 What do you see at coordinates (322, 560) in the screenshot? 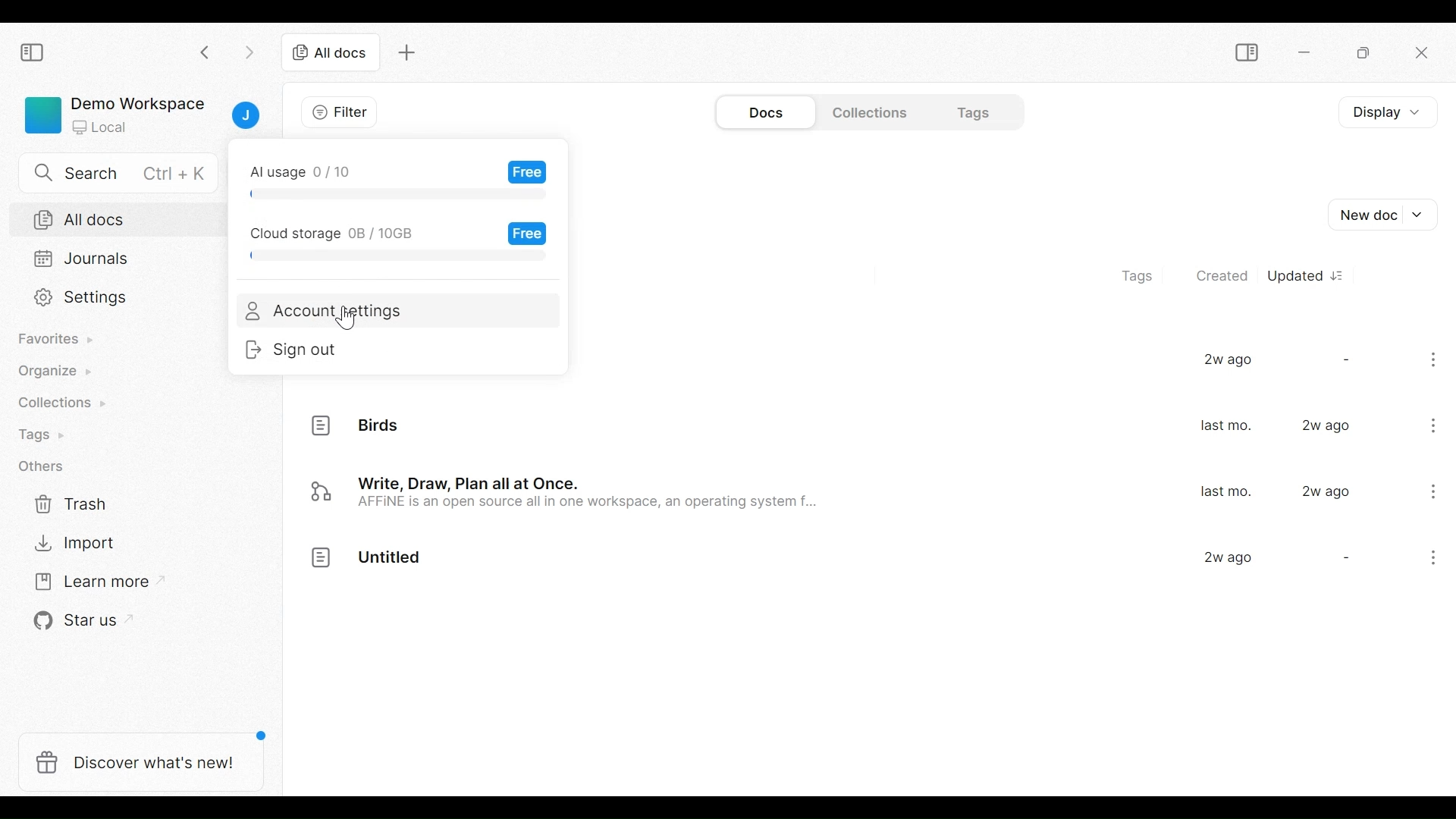
I see `icon` at bounding box center [322, 560].